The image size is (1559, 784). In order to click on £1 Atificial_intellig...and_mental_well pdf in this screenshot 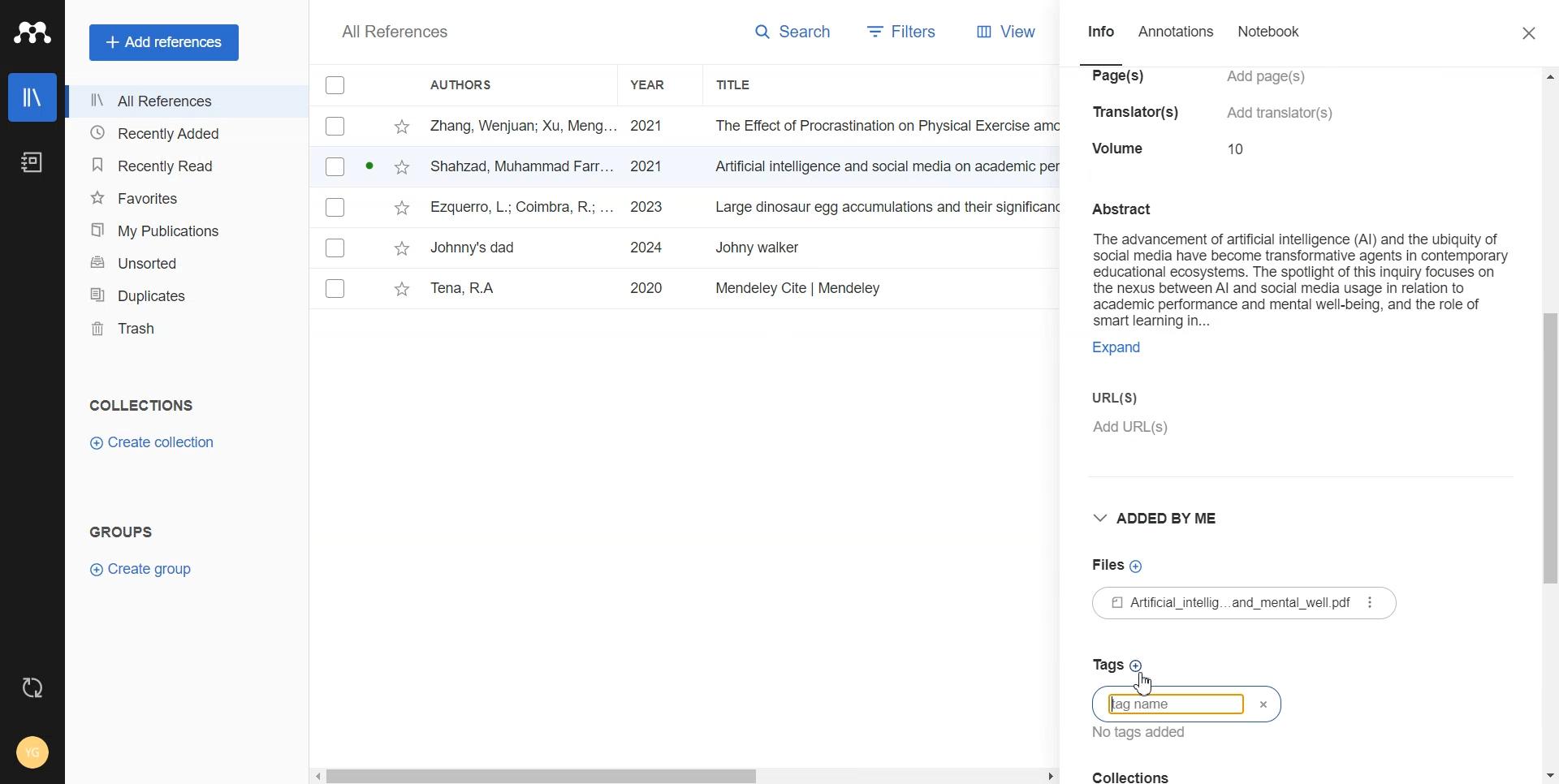, I will do `click(1251, 603)`.